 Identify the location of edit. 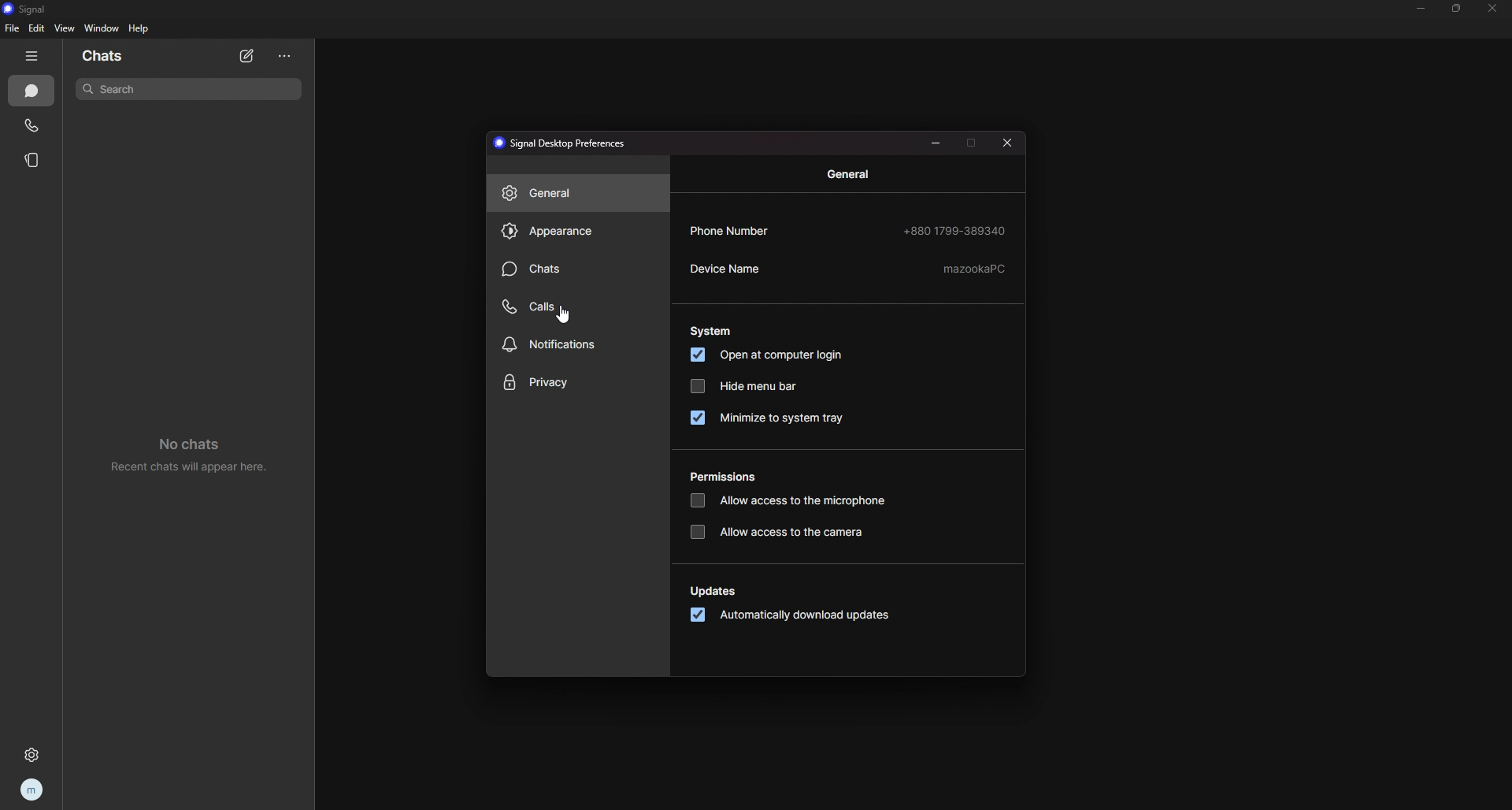
(38, 28).